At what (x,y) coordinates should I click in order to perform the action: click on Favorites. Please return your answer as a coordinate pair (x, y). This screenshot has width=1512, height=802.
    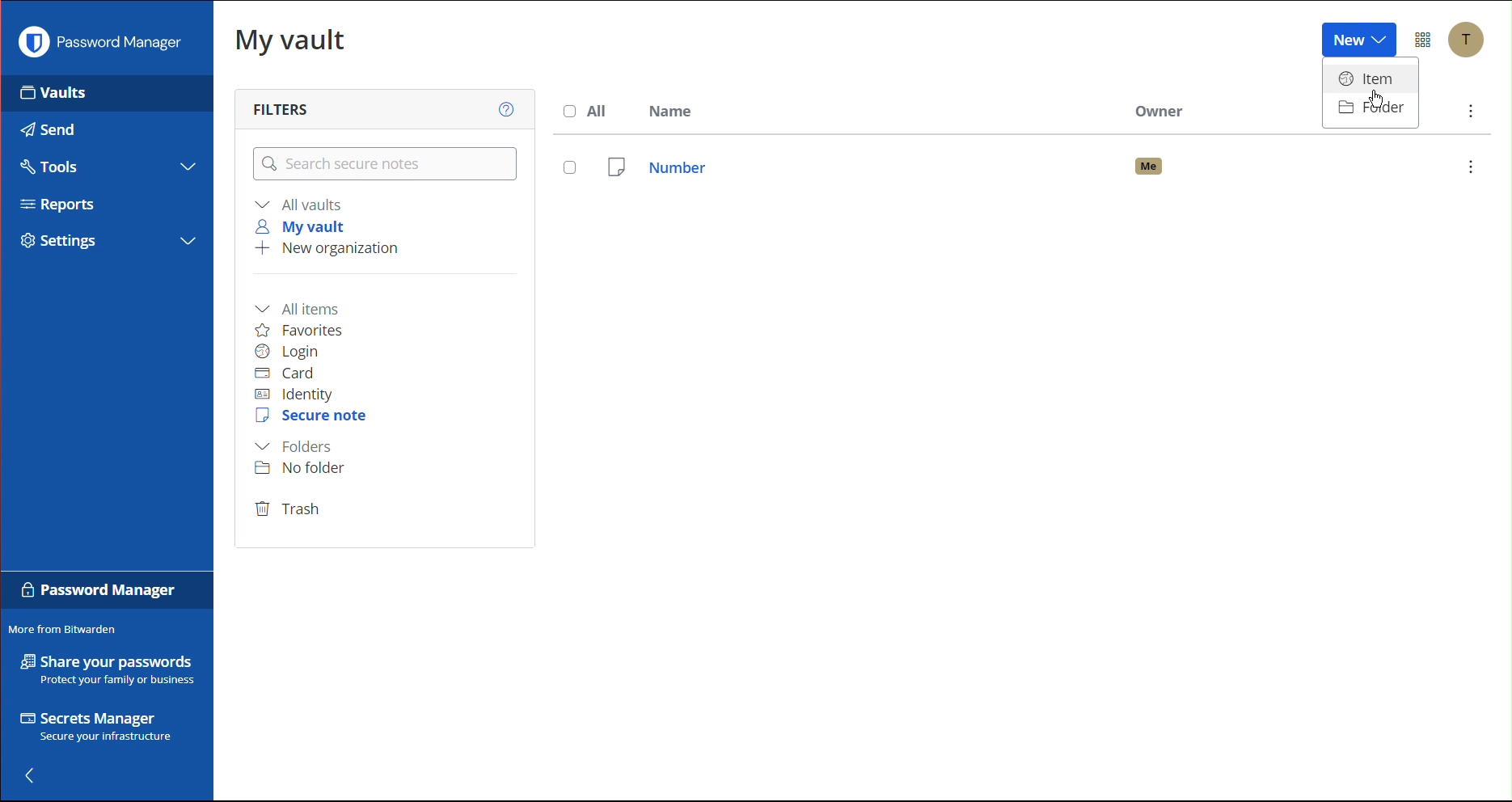
    Looking at the image, I should click on (300, 330).